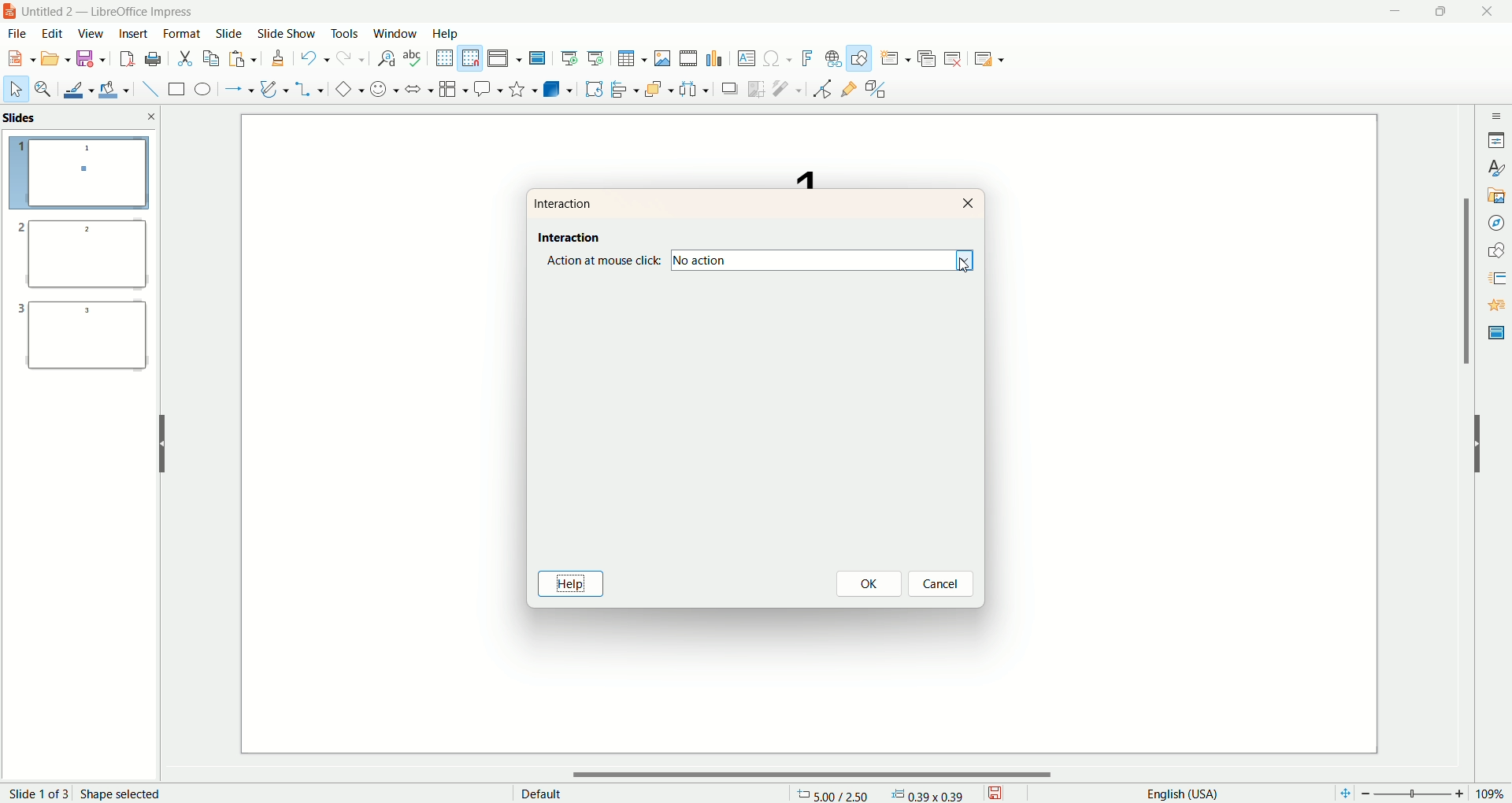 This screenshot has width=1512, height=803. Describe the element at coordinates (1420, 794) in the screenshot. I see `zoom factor` at that location.